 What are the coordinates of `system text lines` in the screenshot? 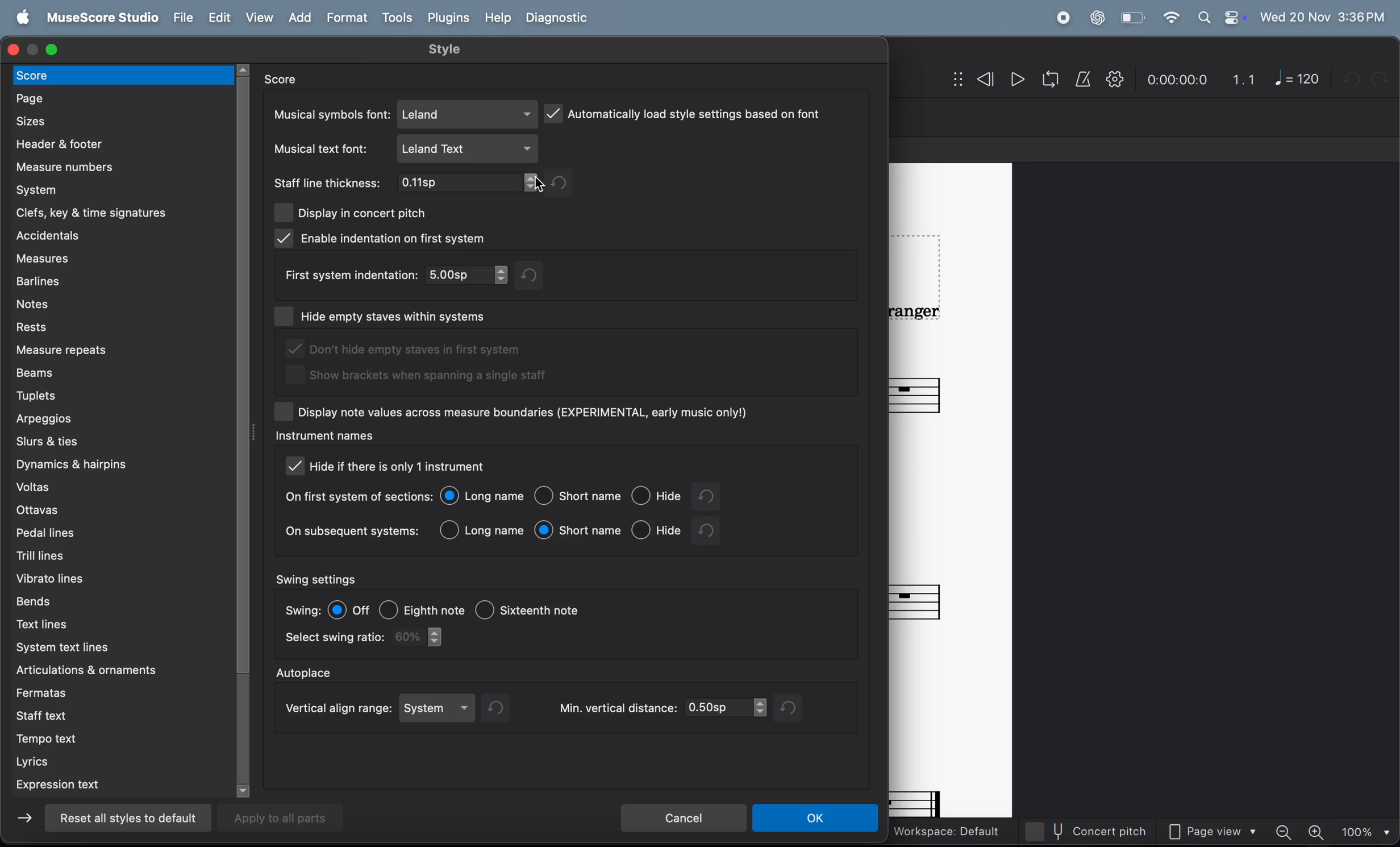 It's located at (113, 649).